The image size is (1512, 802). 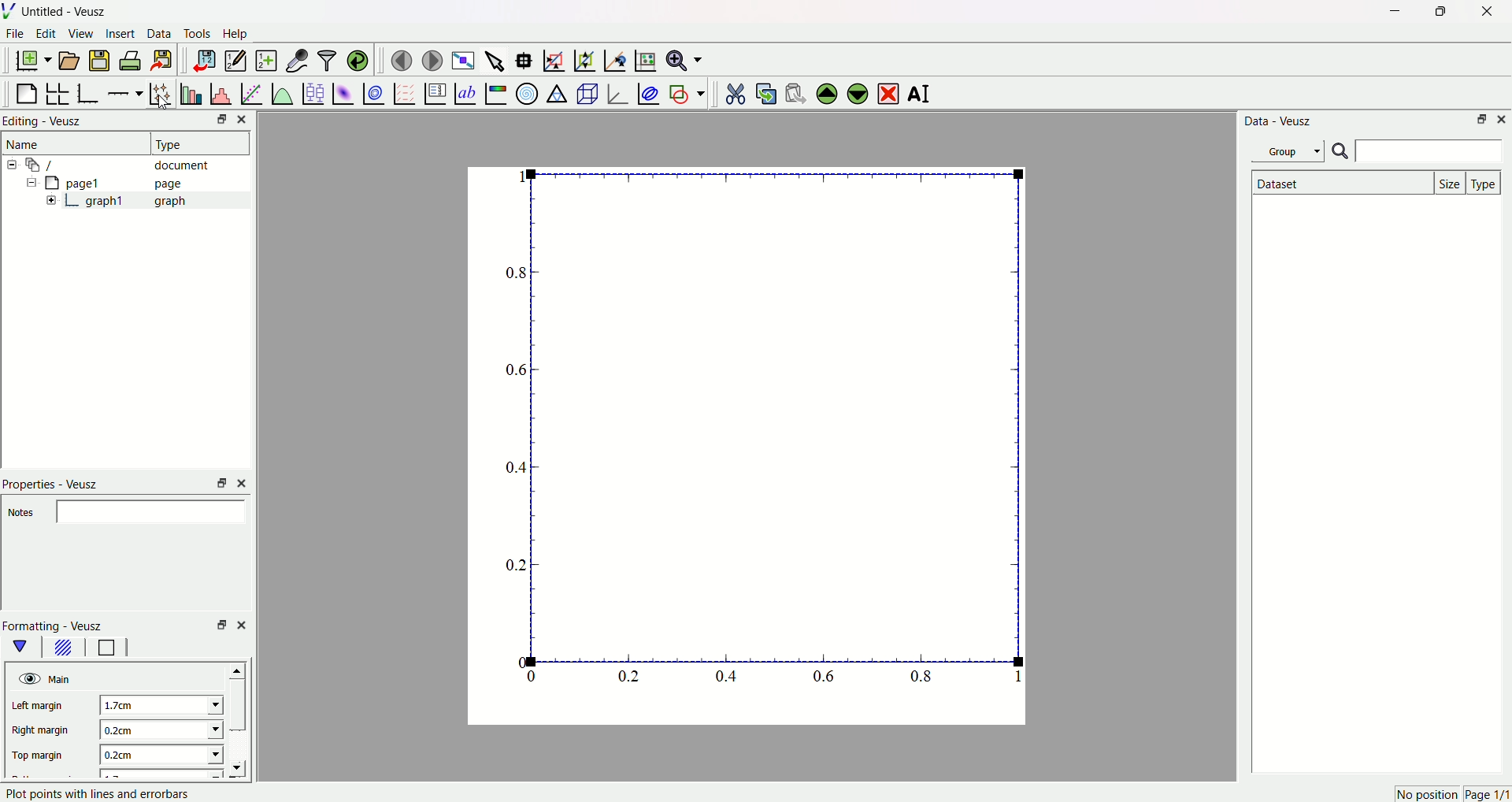 What do you see at coordinates (235, 62) in the screenshot?
I see `edit and entry new datasets` at bounding box center [235, 62].